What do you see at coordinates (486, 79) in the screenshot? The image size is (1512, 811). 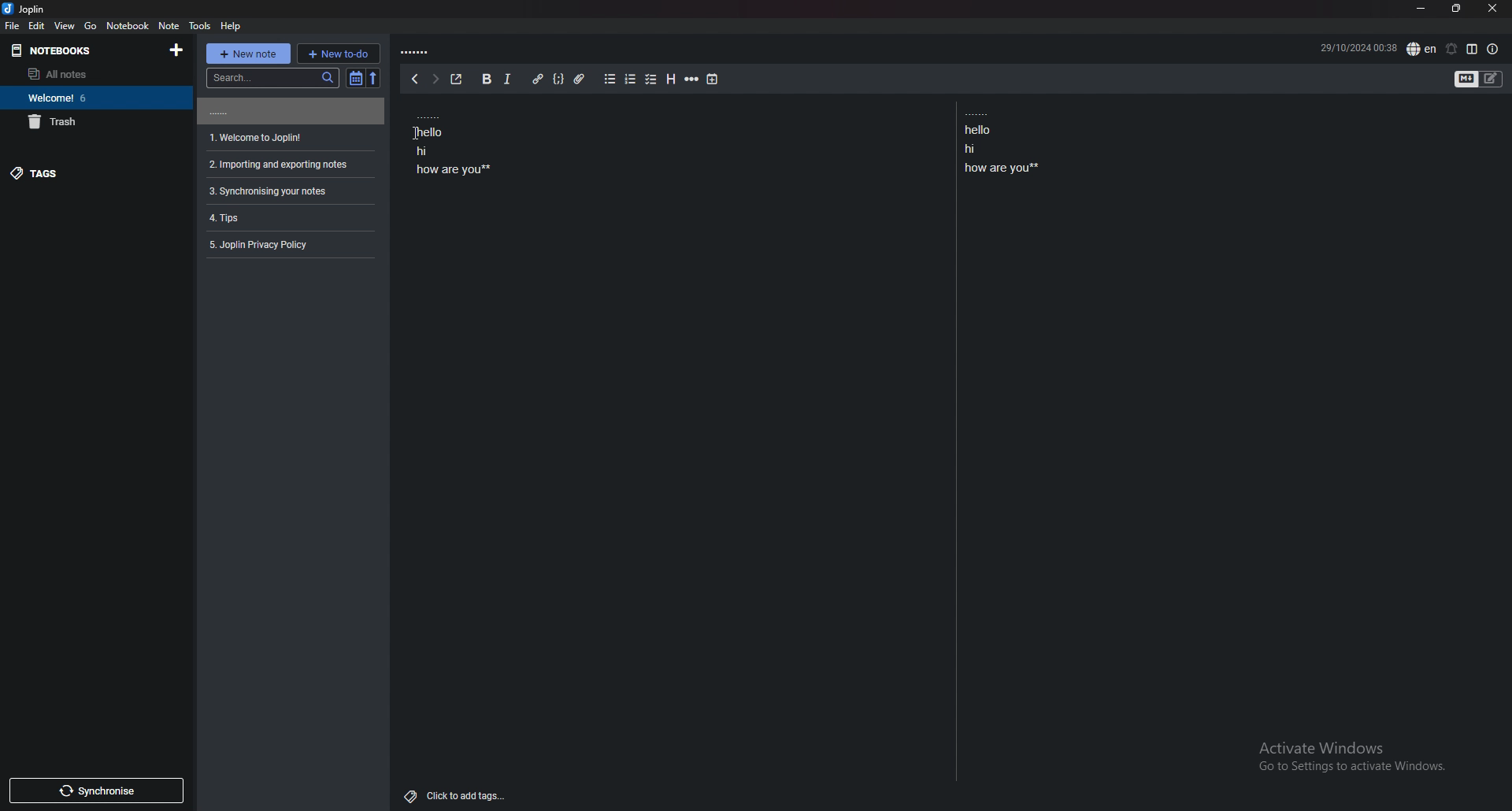 I see `bold` at bounding box center [486, 79].